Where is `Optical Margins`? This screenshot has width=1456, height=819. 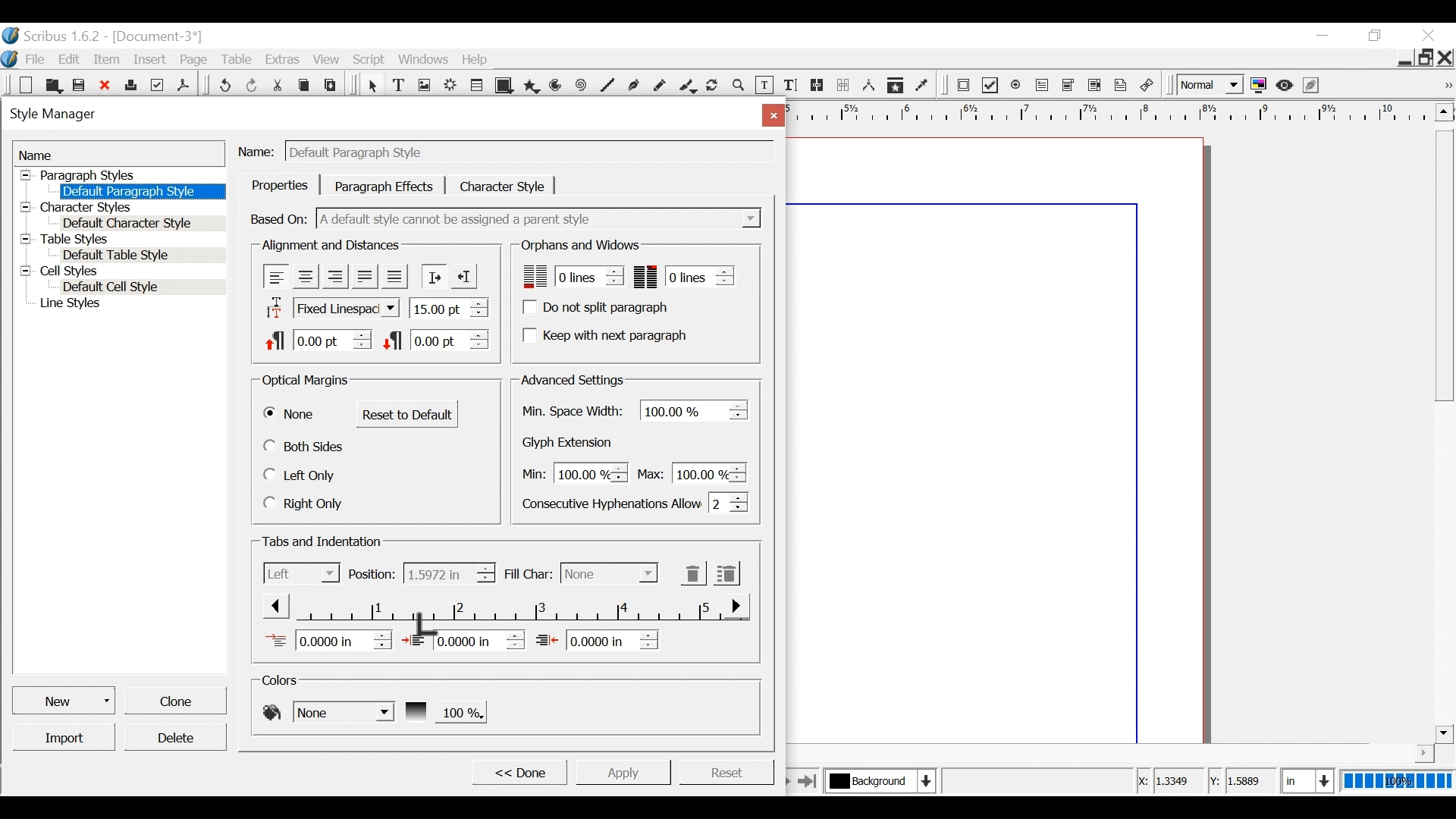 Optical Margins is located at coordinates (306, 381).